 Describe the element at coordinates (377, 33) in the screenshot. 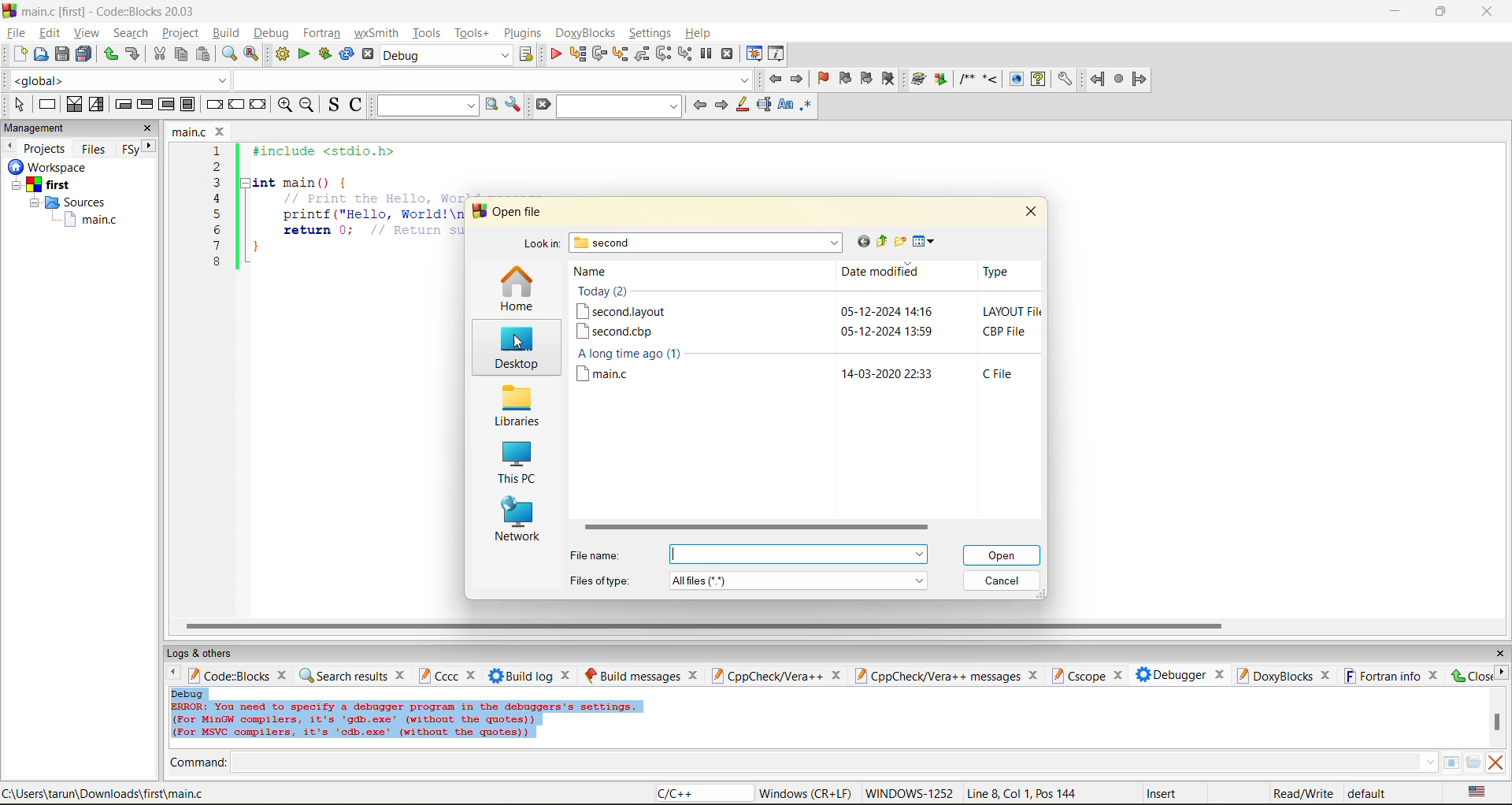

I see `wxsmith` at that location.